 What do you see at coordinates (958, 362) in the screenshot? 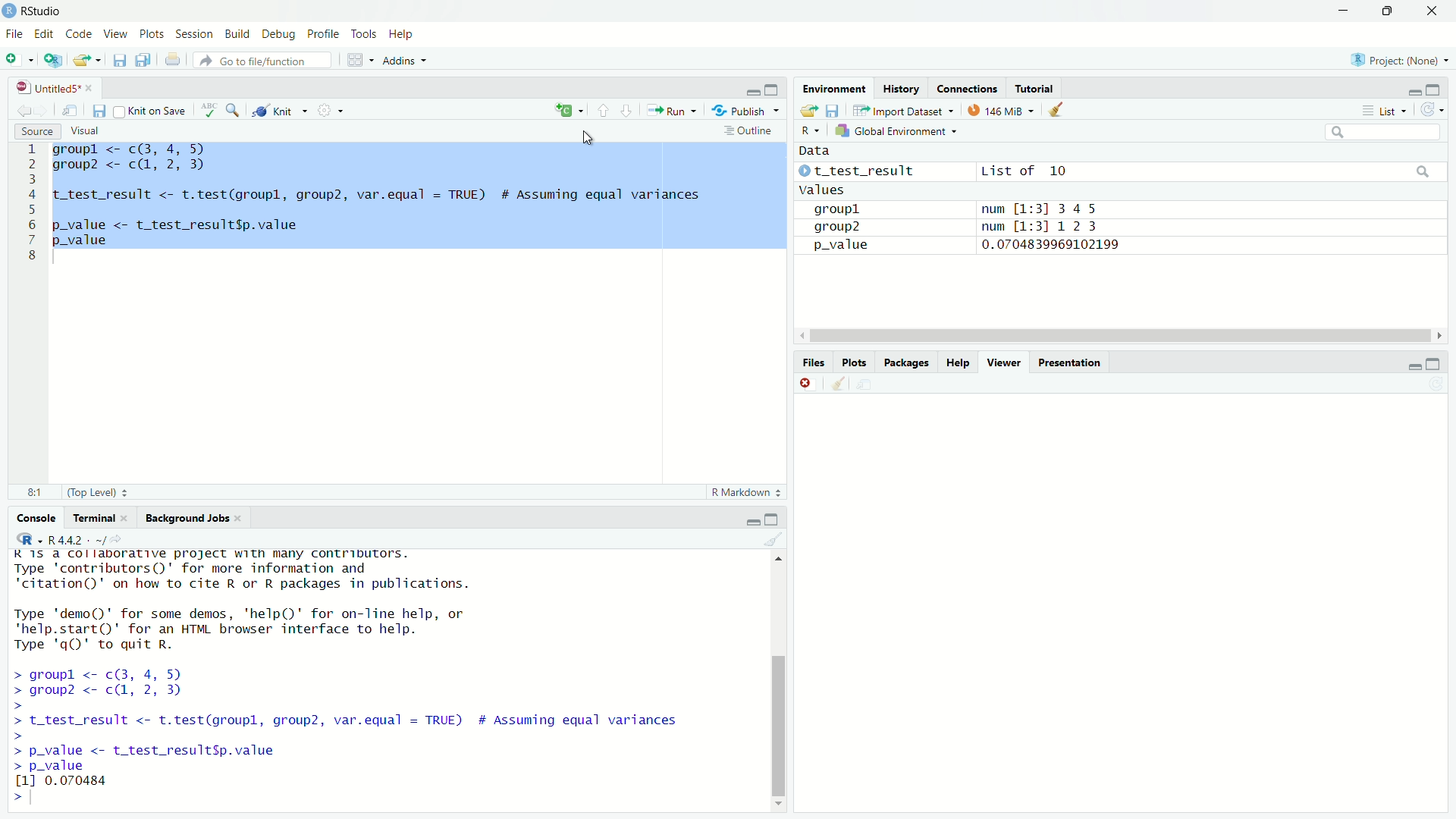
I see `Help` at bounding box center [958, 362].